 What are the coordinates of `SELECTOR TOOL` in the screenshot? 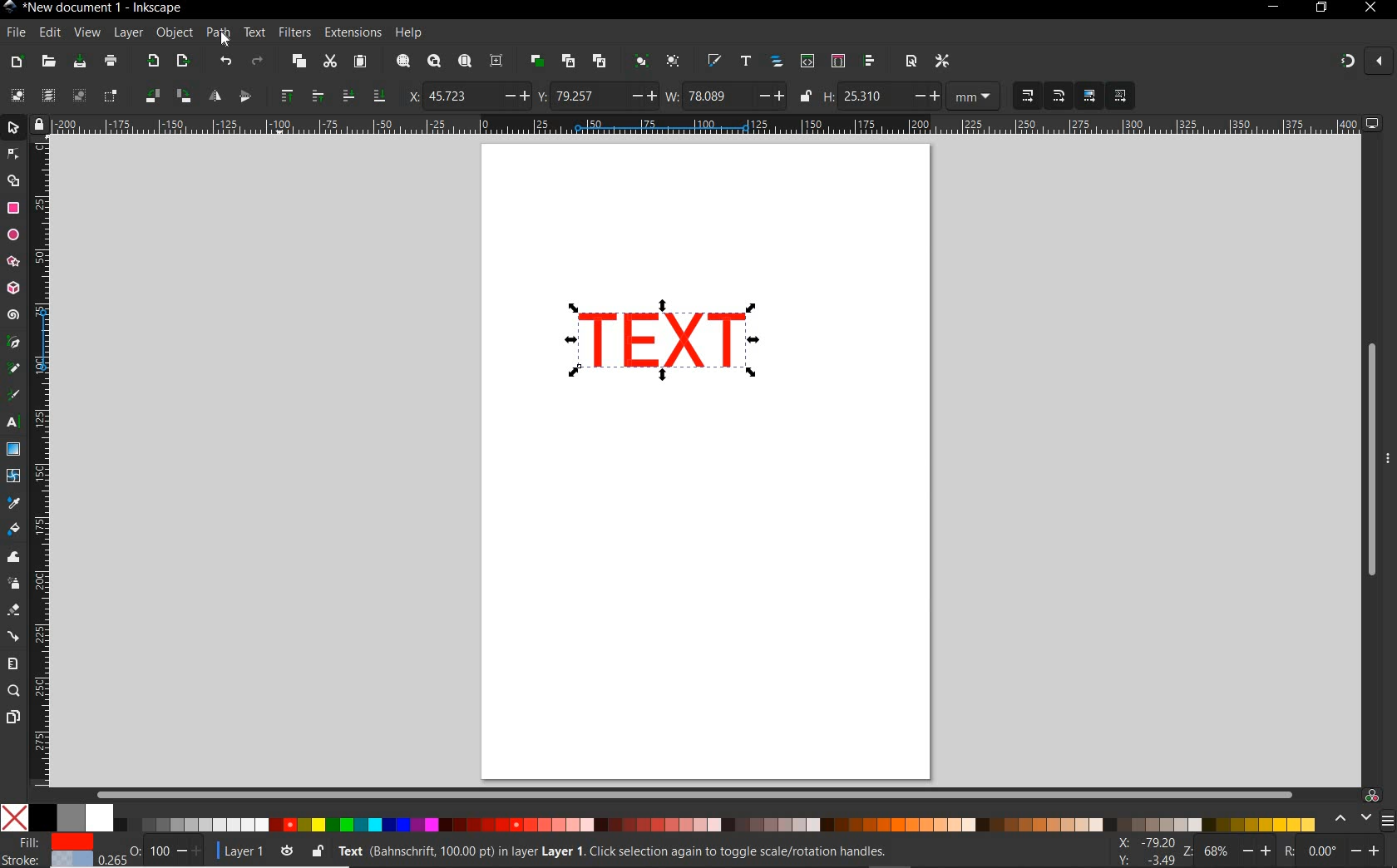 It's located at (654, 350).